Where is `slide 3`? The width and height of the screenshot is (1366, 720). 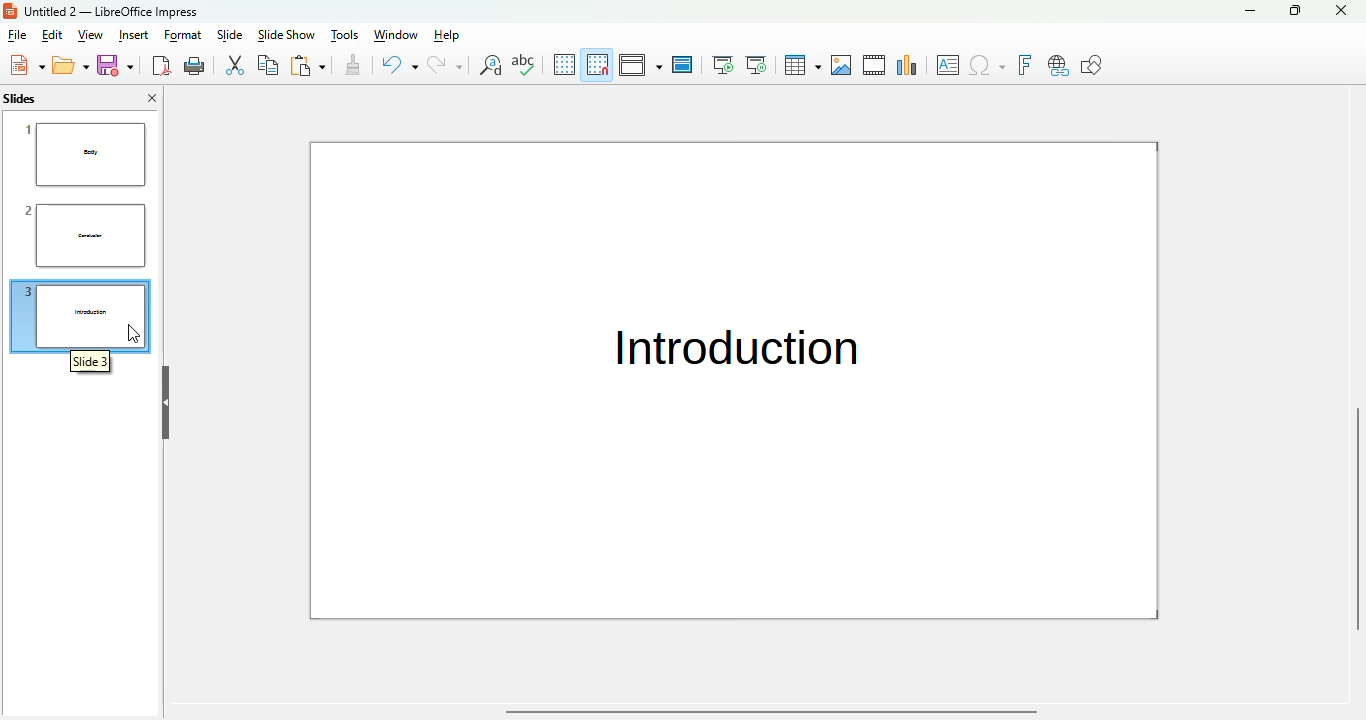 slide 3 is located at coordinates (90, 364).